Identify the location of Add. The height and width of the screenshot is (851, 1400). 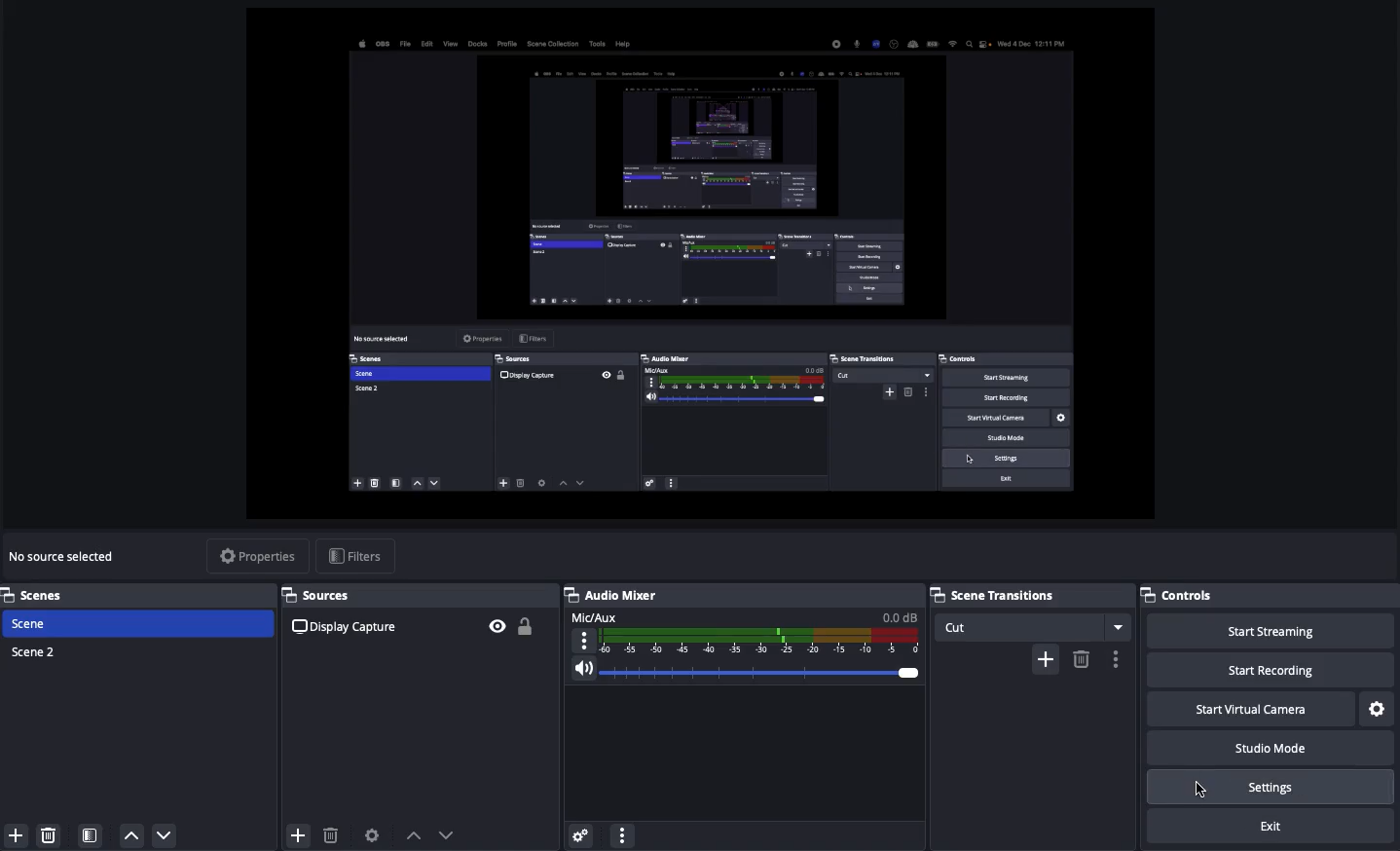
(298, 833).